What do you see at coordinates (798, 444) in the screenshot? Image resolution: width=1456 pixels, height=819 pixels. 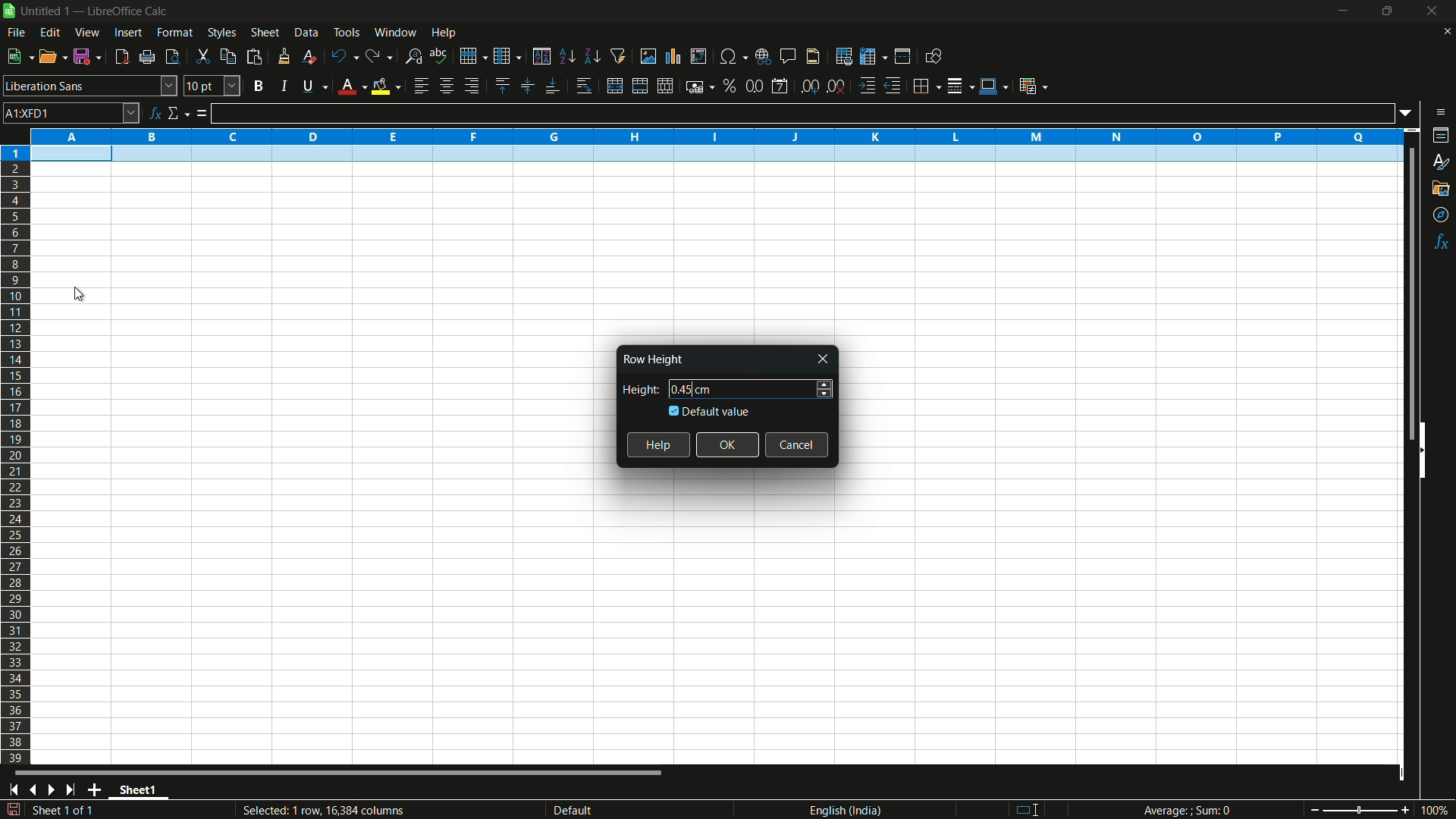 I see `cancel` at bounding box center [798, 444].